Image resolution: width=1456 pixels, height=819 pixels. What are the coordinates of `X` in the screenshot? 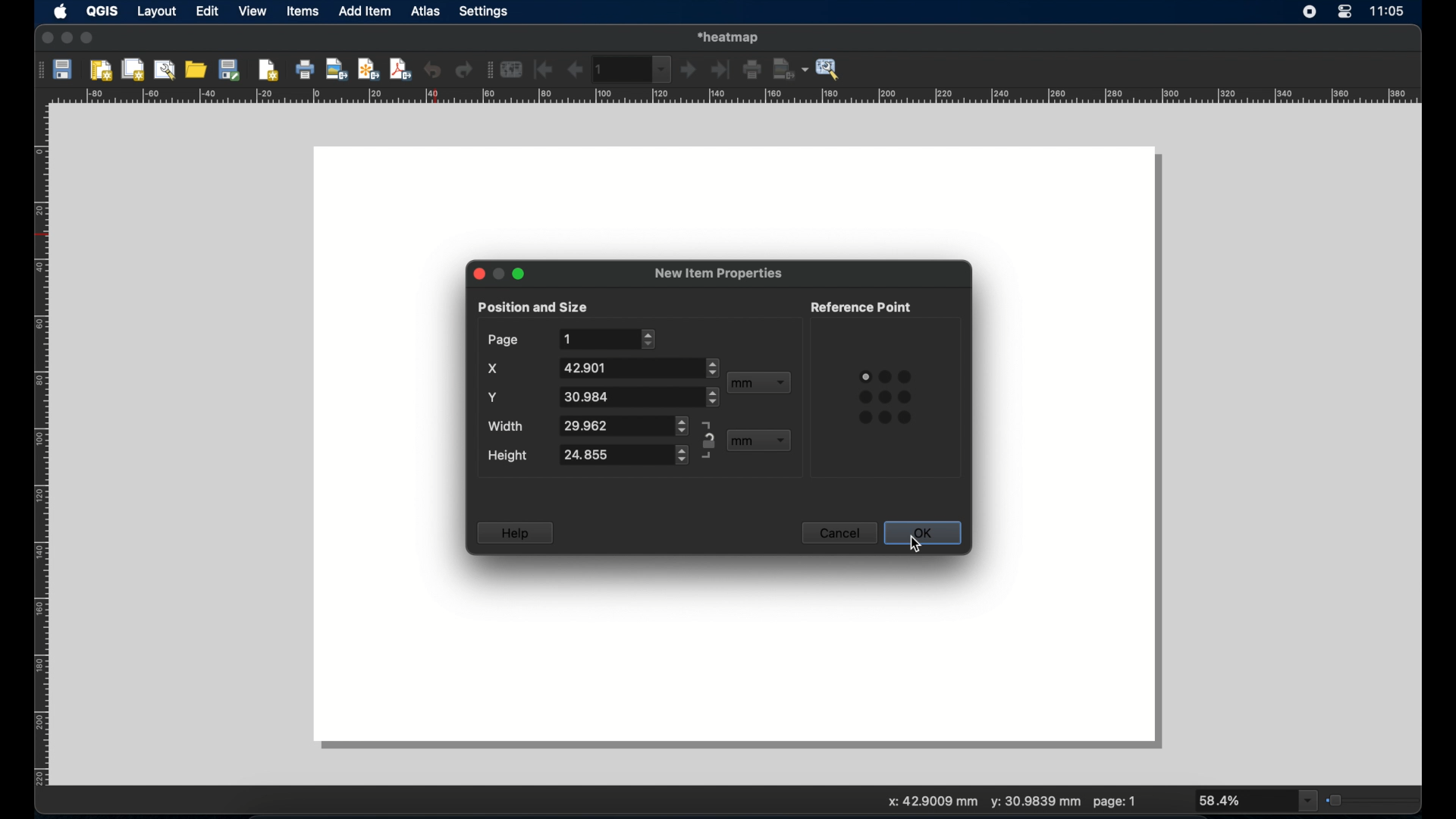 It's located at (494, 371).